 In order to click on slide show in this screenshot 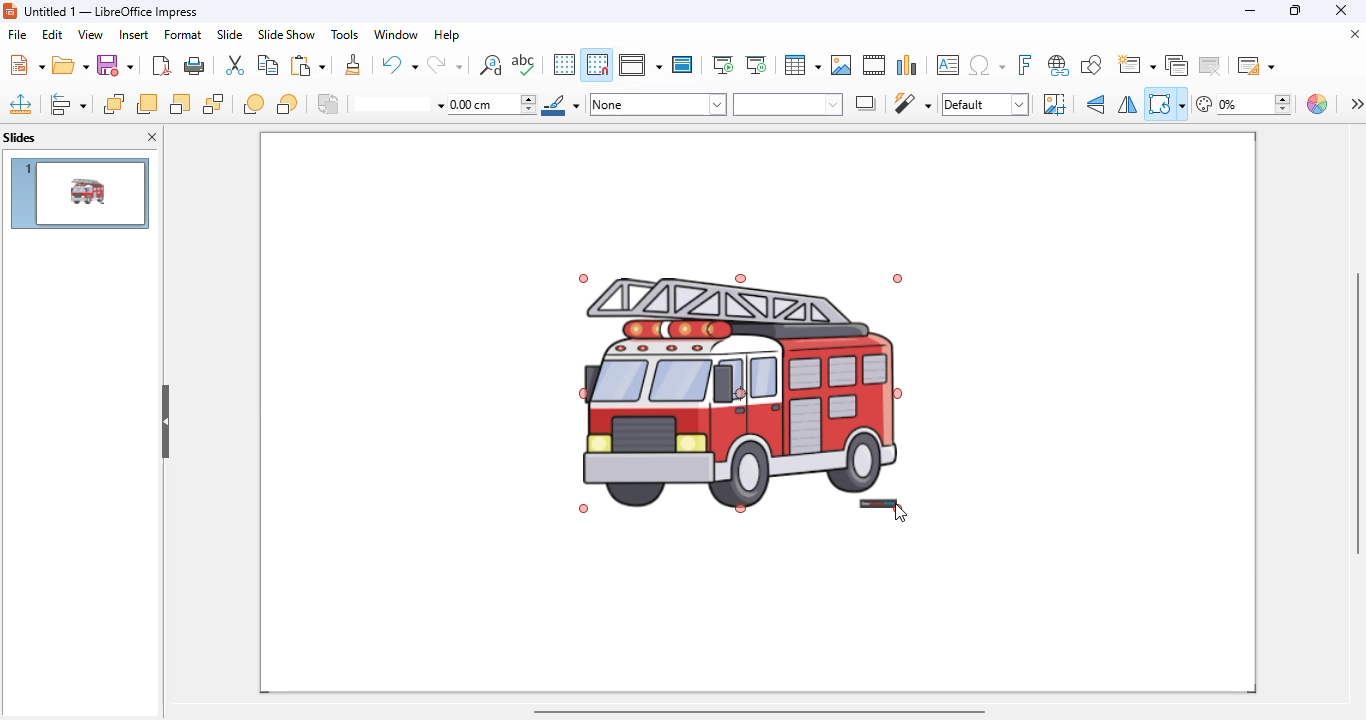, I will do `click(286, 34)`.